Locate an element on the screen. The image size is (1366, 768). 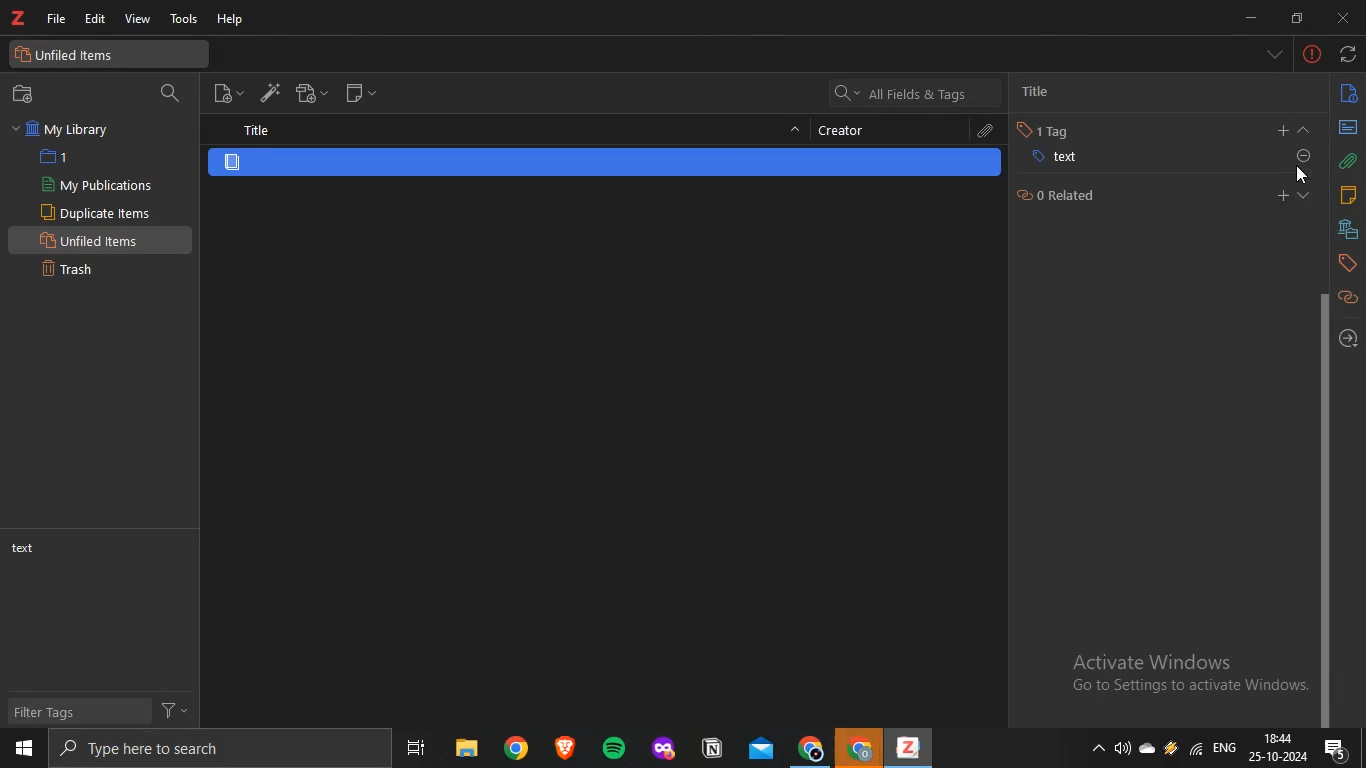
item is located at coordinates (605, 166).